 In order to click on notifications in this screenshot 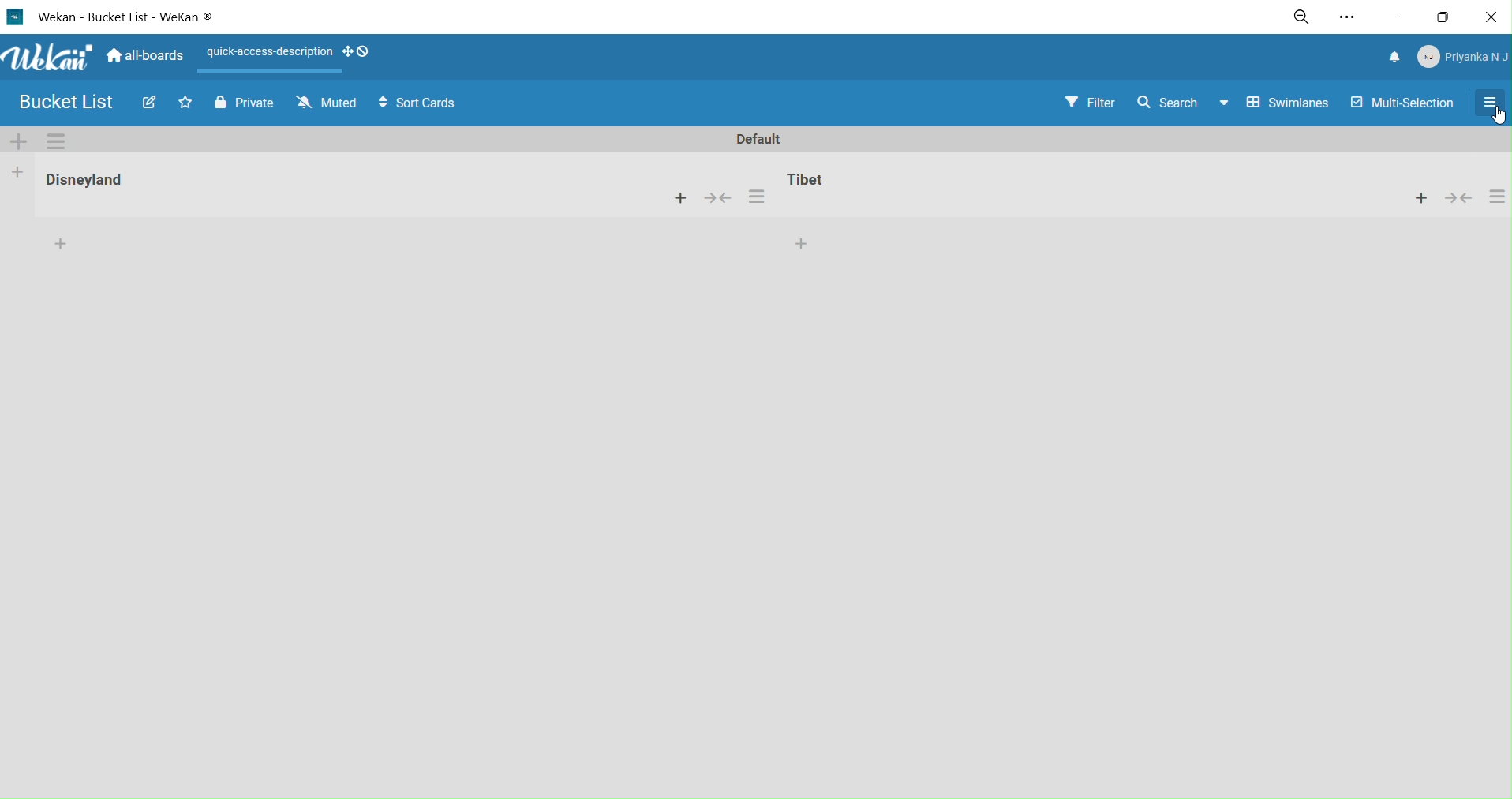, I will do `click(1391, 58)`.